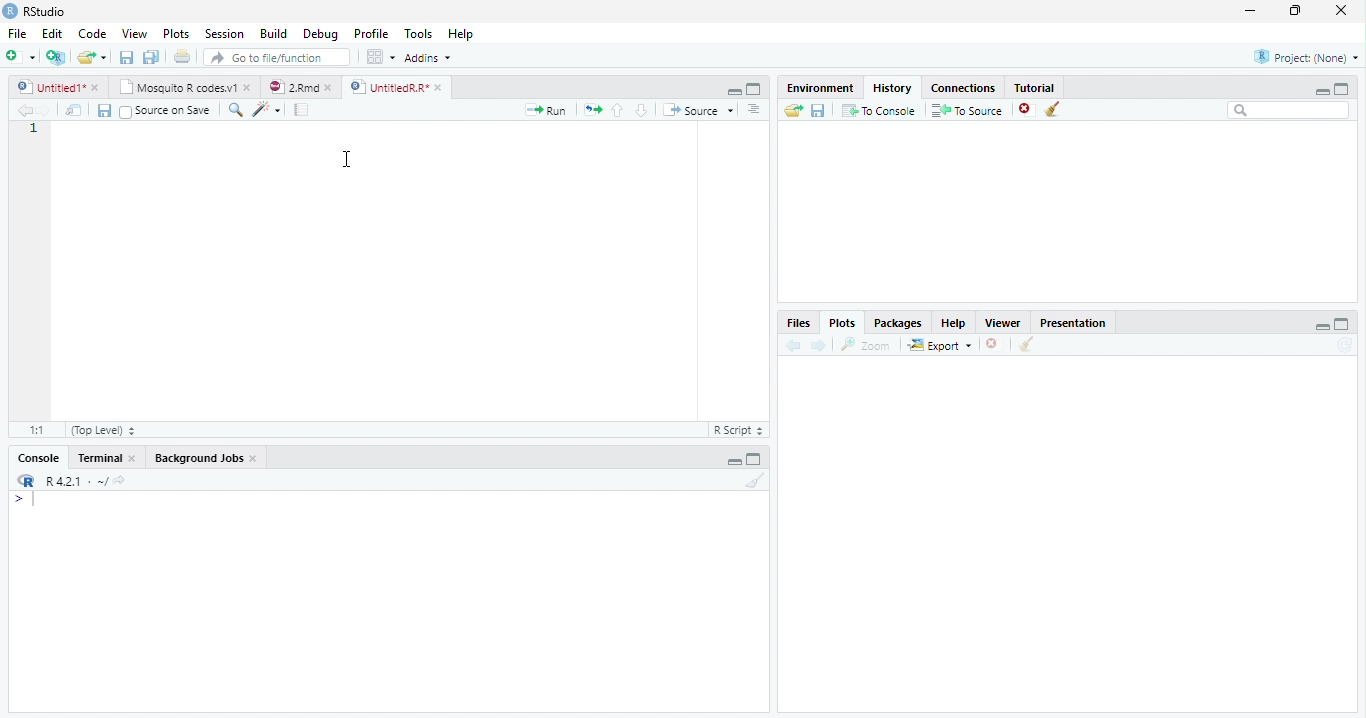 This screenshot has width=1366, height=718. I want to click on History, so click(893, 88).